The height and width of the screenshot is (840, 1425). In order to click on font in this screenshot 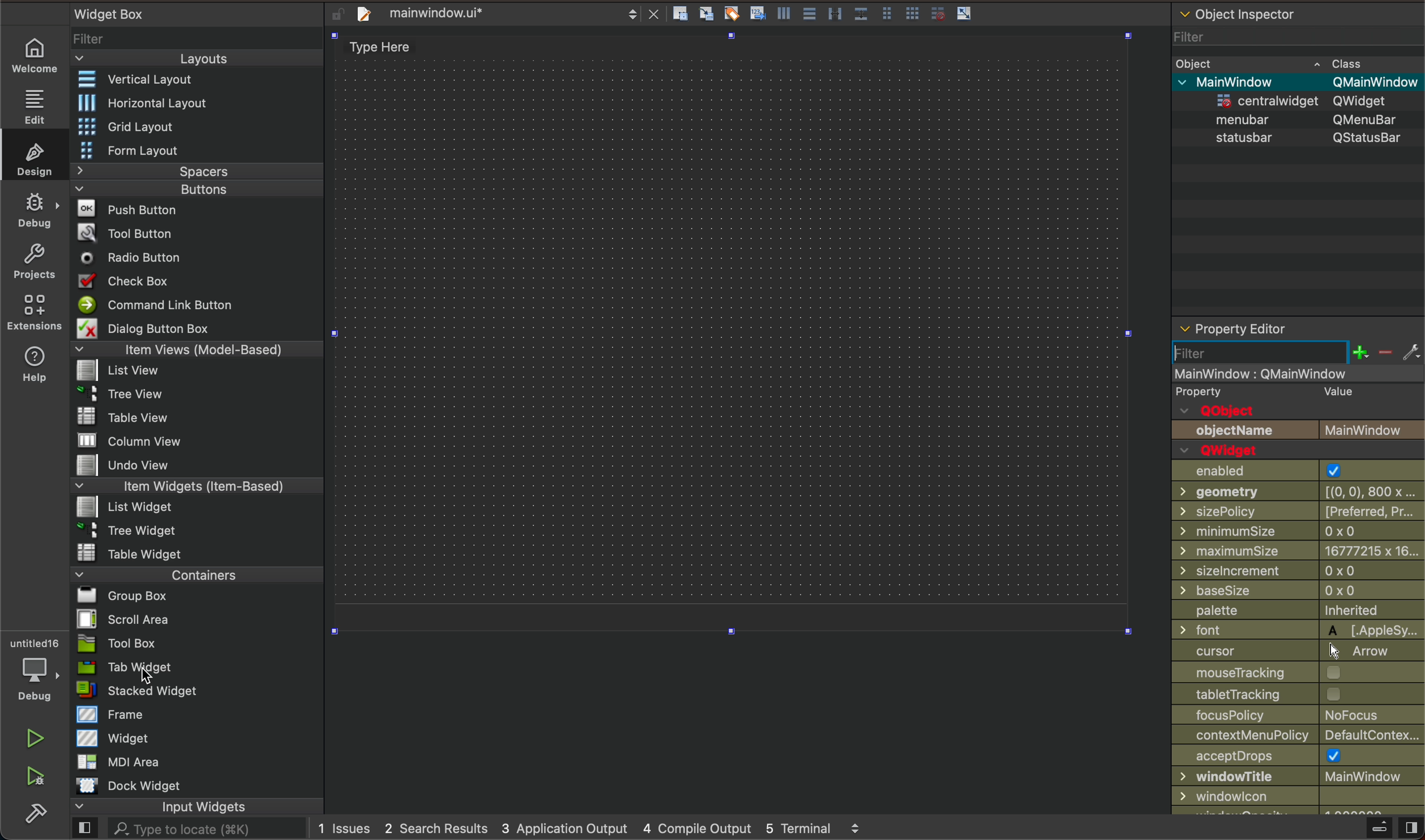, I will do `click(1296, 630)`.